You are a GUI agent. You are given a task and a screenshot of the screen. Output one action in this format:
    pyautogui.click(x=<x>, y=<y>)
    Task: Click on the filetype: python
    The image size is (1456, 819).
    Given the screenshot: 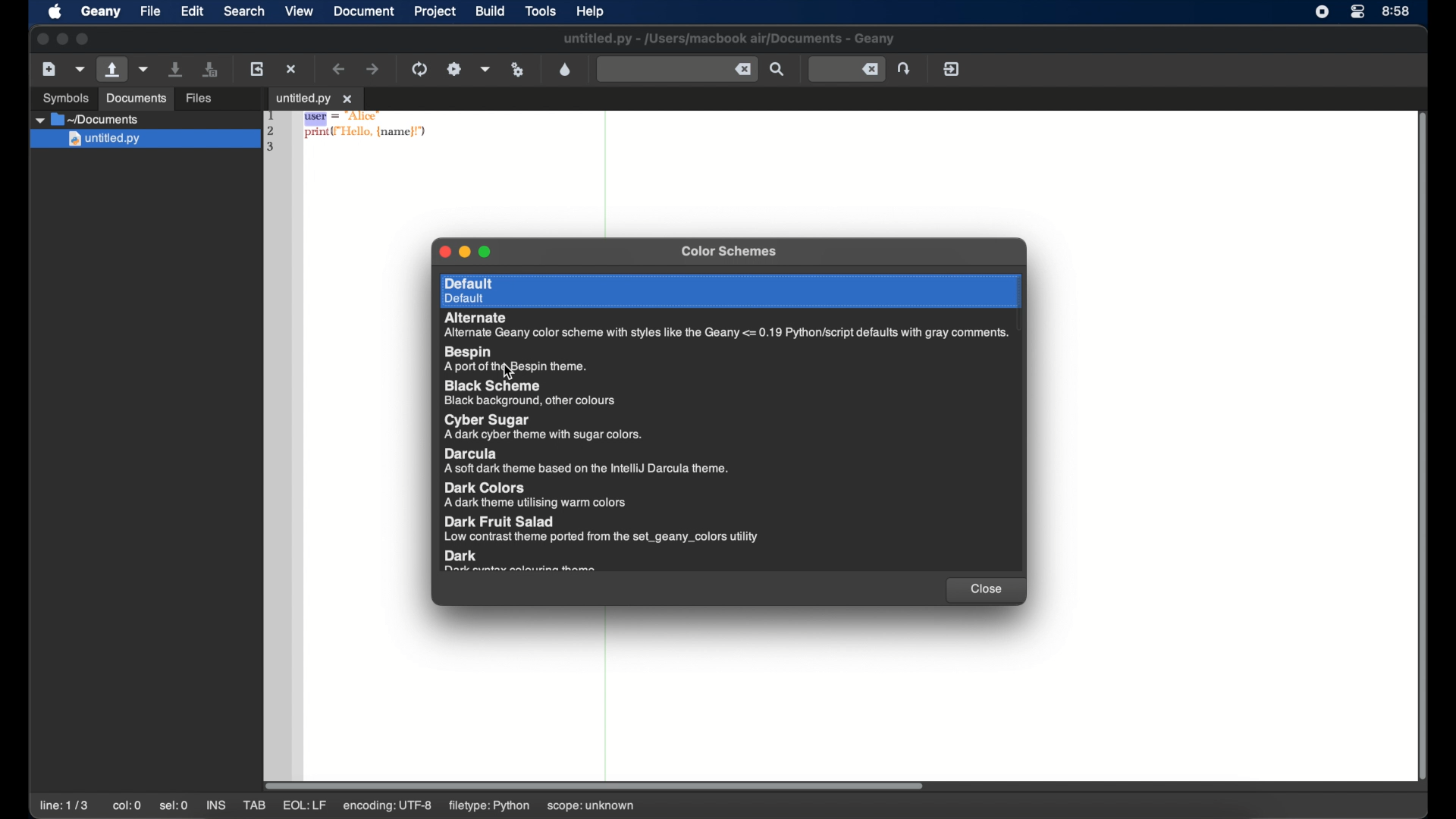 What is the action you would take?
    pyautogui.click(x=491, y=807)
    